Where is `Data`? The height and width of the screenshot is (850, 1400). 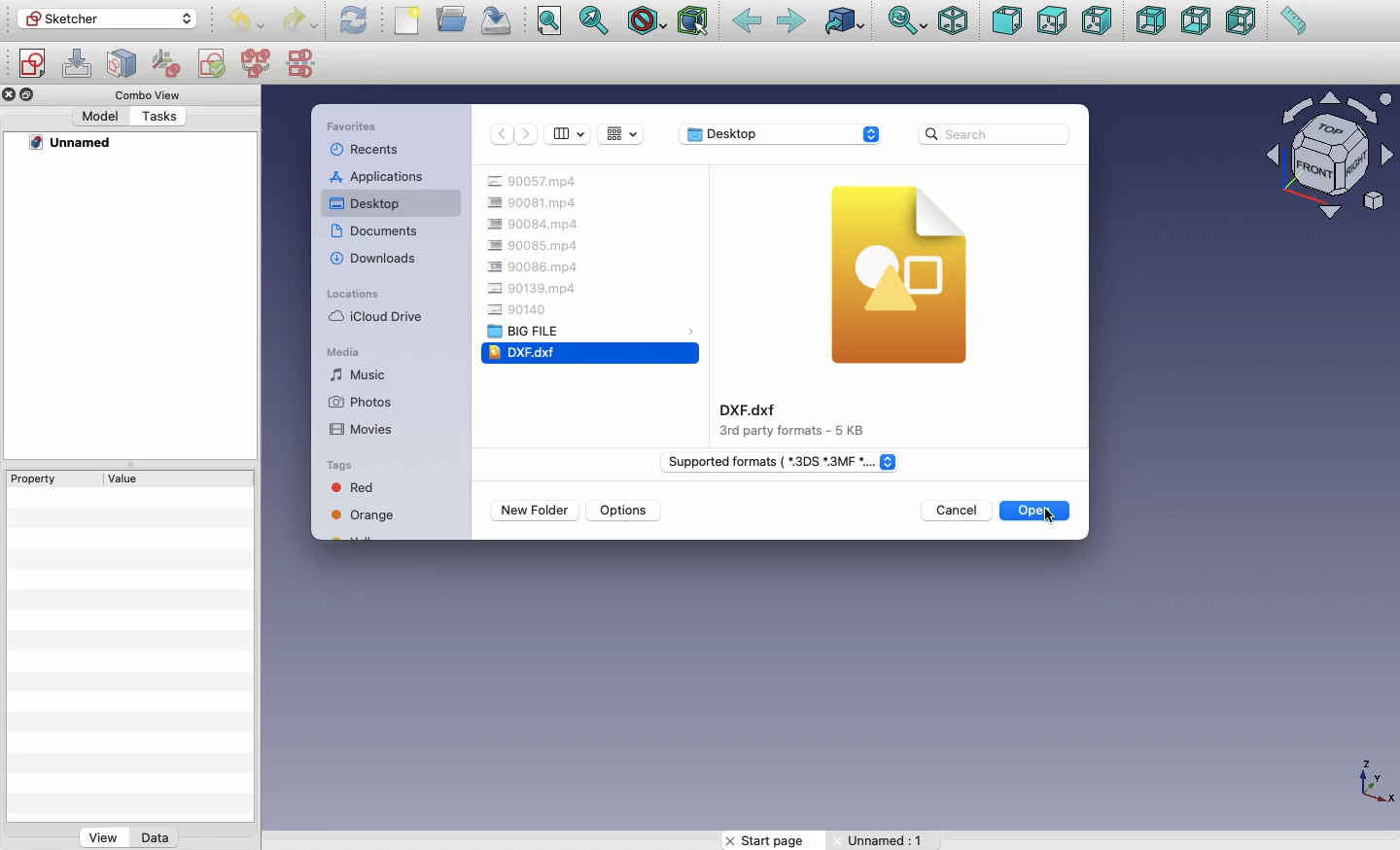
Data is located at coordinates (156, 836).